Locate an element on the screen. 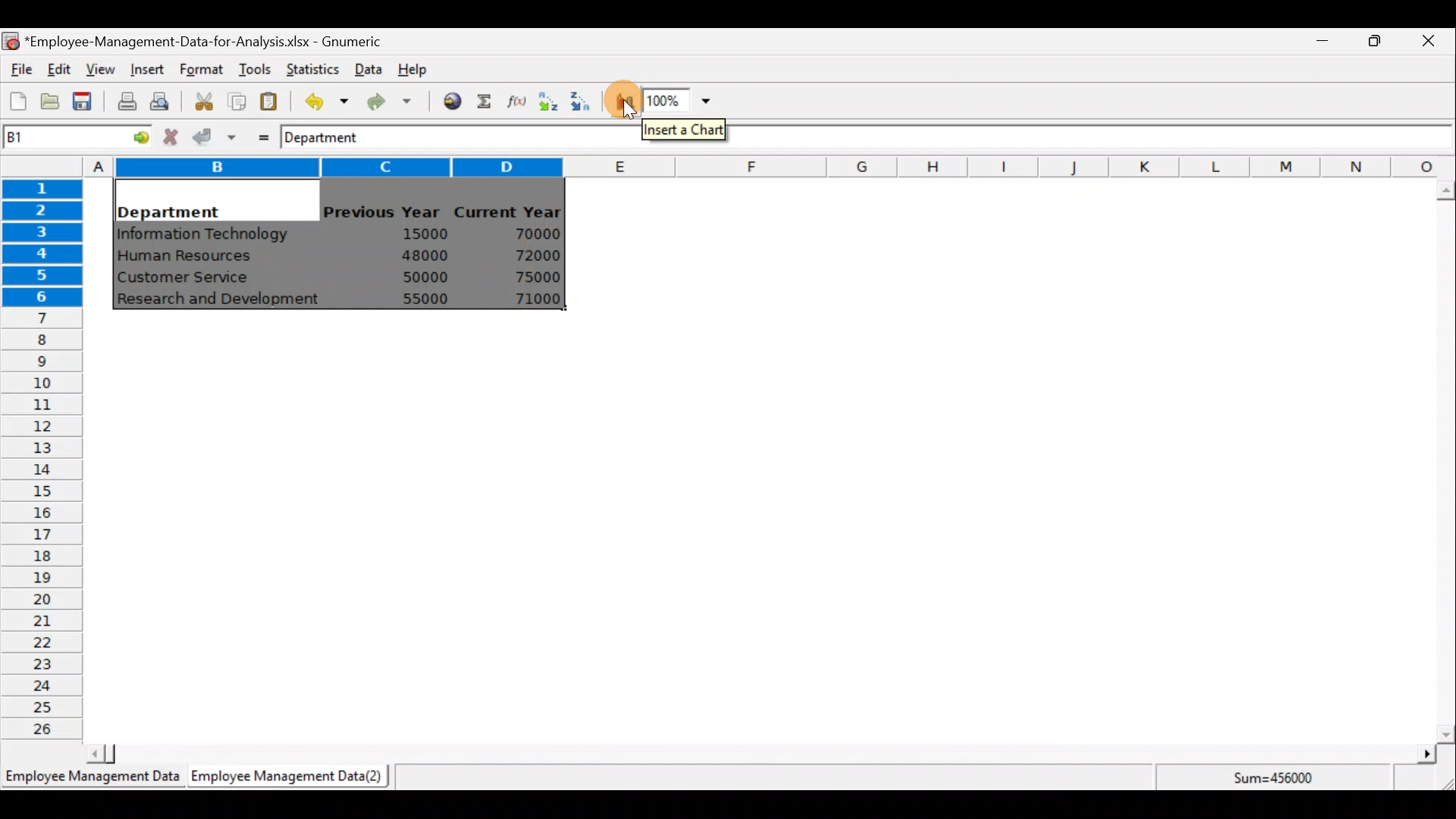 Image resolution: width=1456 pixels, height=819 pixels. Copy the selection is located at coordinates (236, 99).